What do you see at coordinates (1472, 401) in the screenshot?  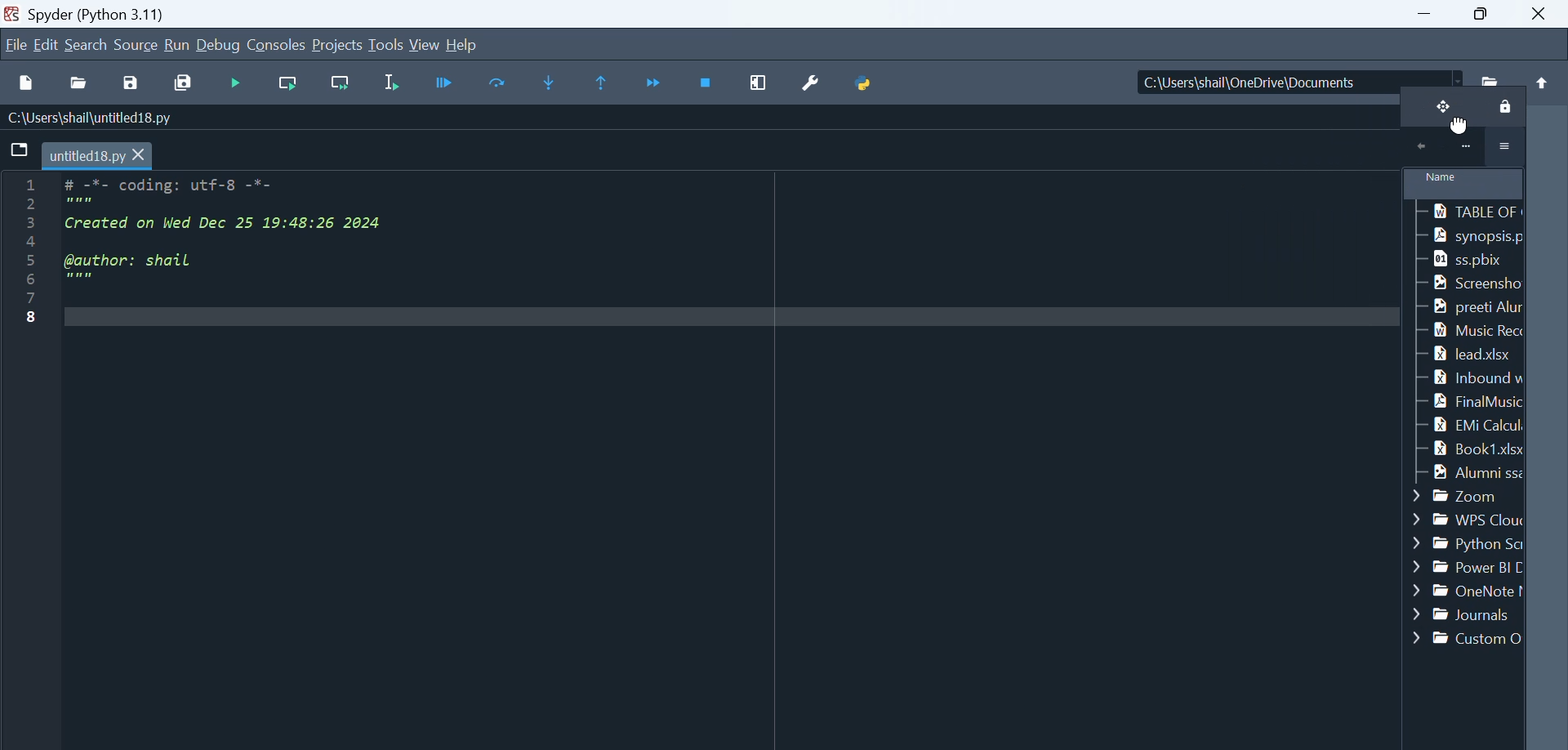 I see `FinalMusic..` at bounding box center [1472, 401].